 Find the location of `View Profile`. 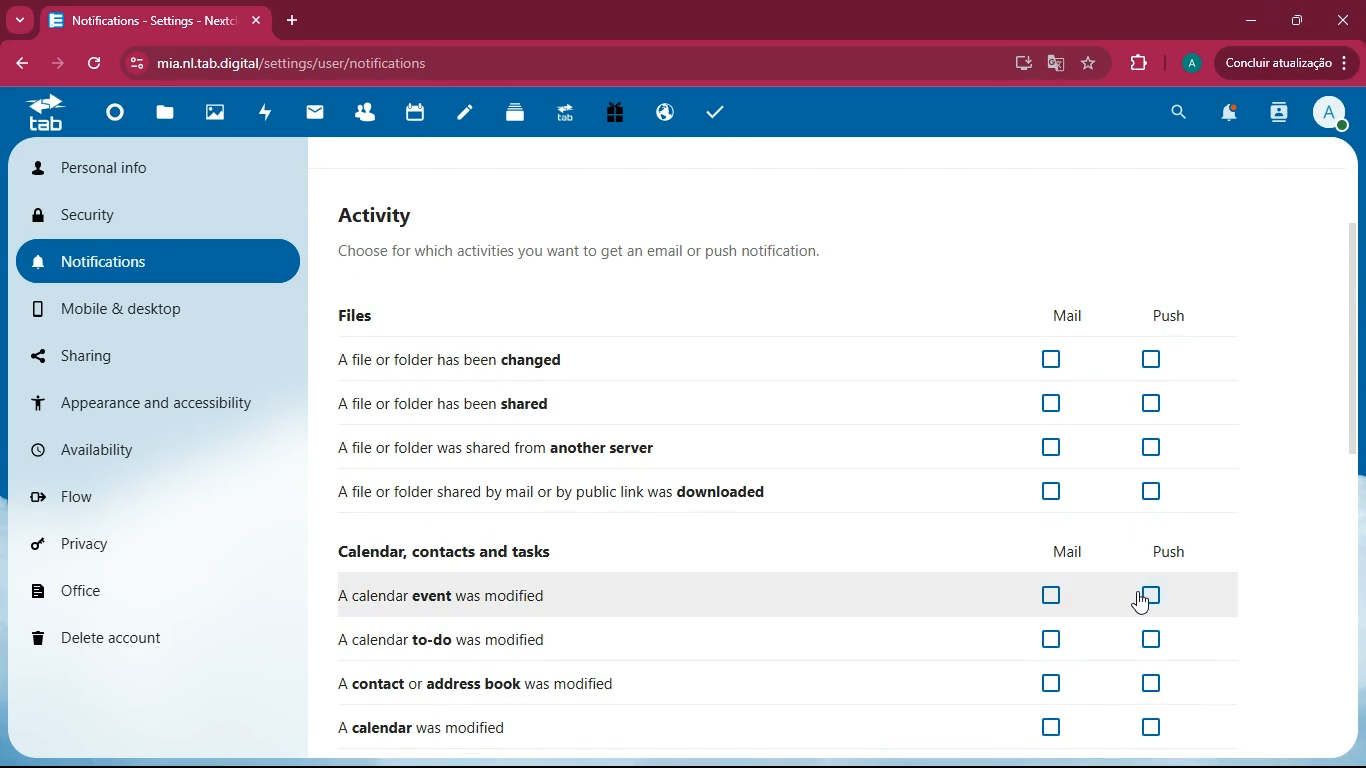

View Profile is located at coordinates (1332, 115).